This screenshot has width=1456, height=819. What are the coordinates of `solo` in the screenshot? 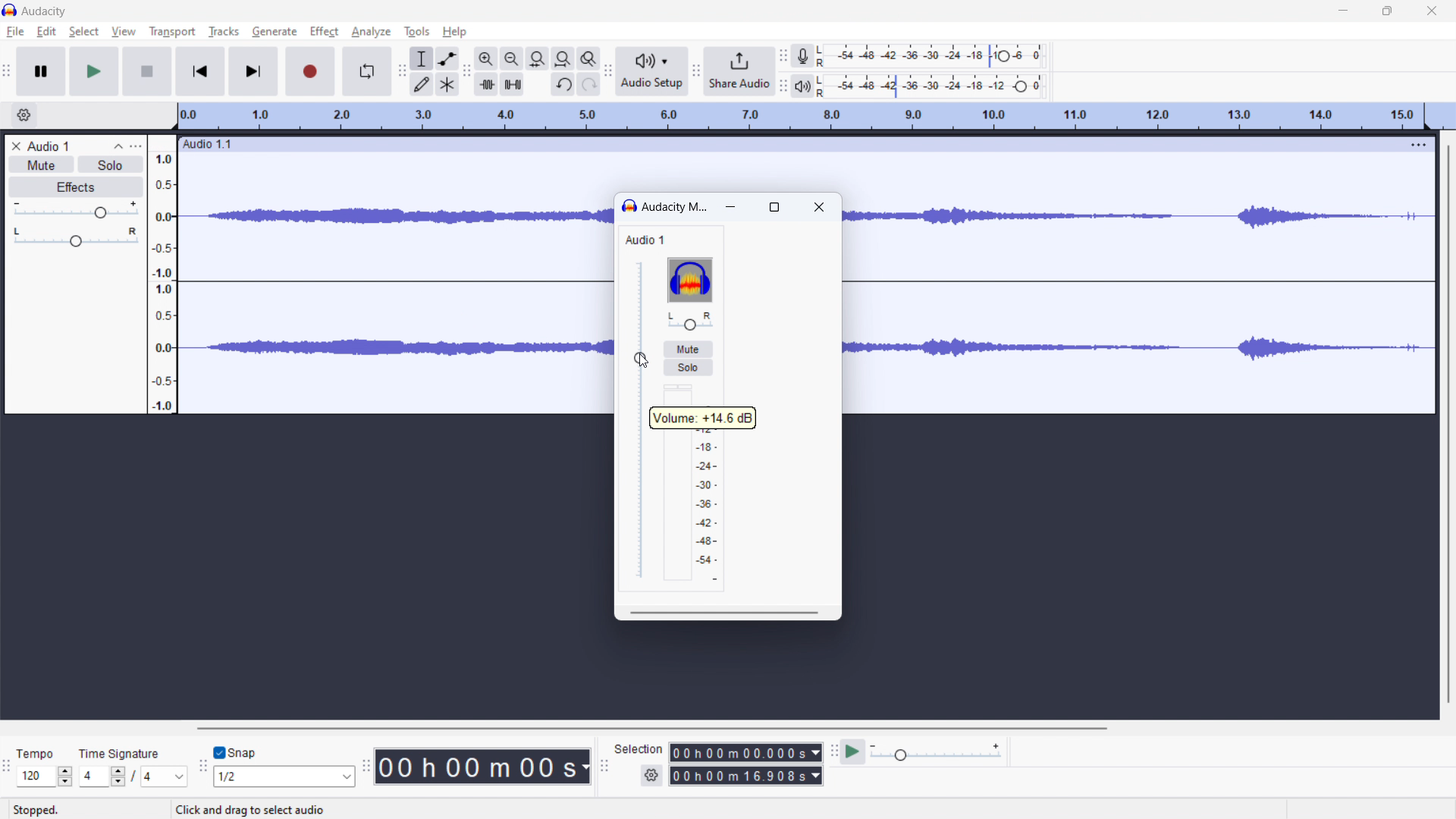 It's located at (689, 367).